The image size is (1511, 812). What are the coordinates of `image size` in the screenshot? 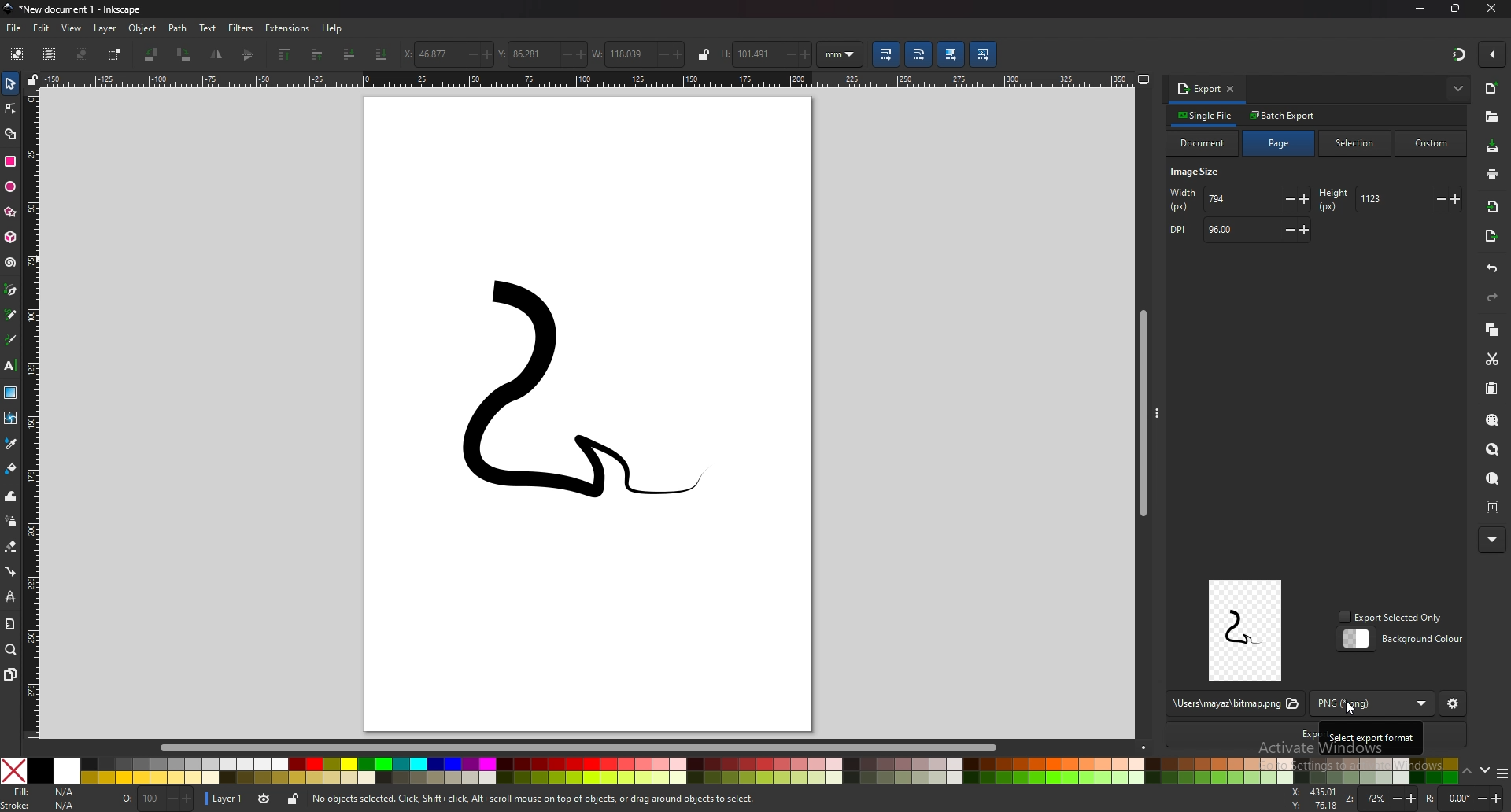 It's located at (1199, 173).